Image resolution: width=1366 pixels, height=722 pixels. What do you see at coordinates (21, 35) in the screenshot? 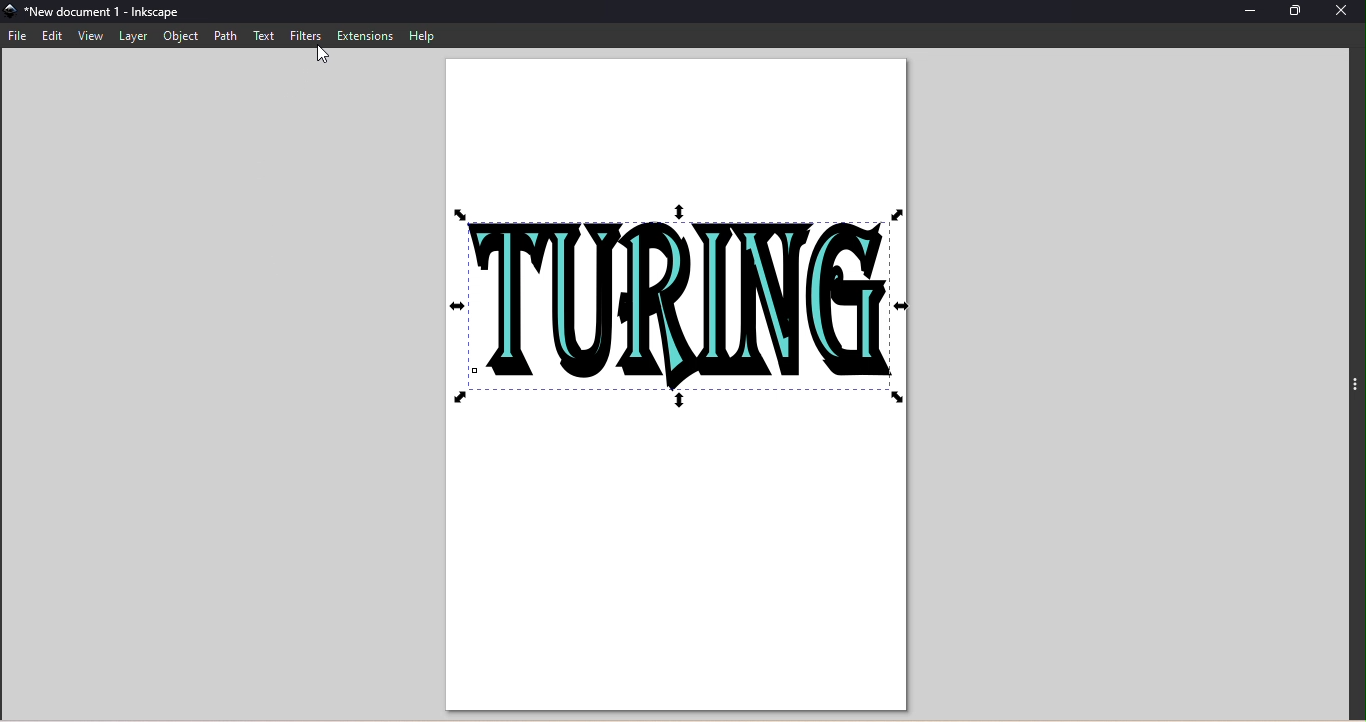
I see `File` at bounding box center [21, 35].